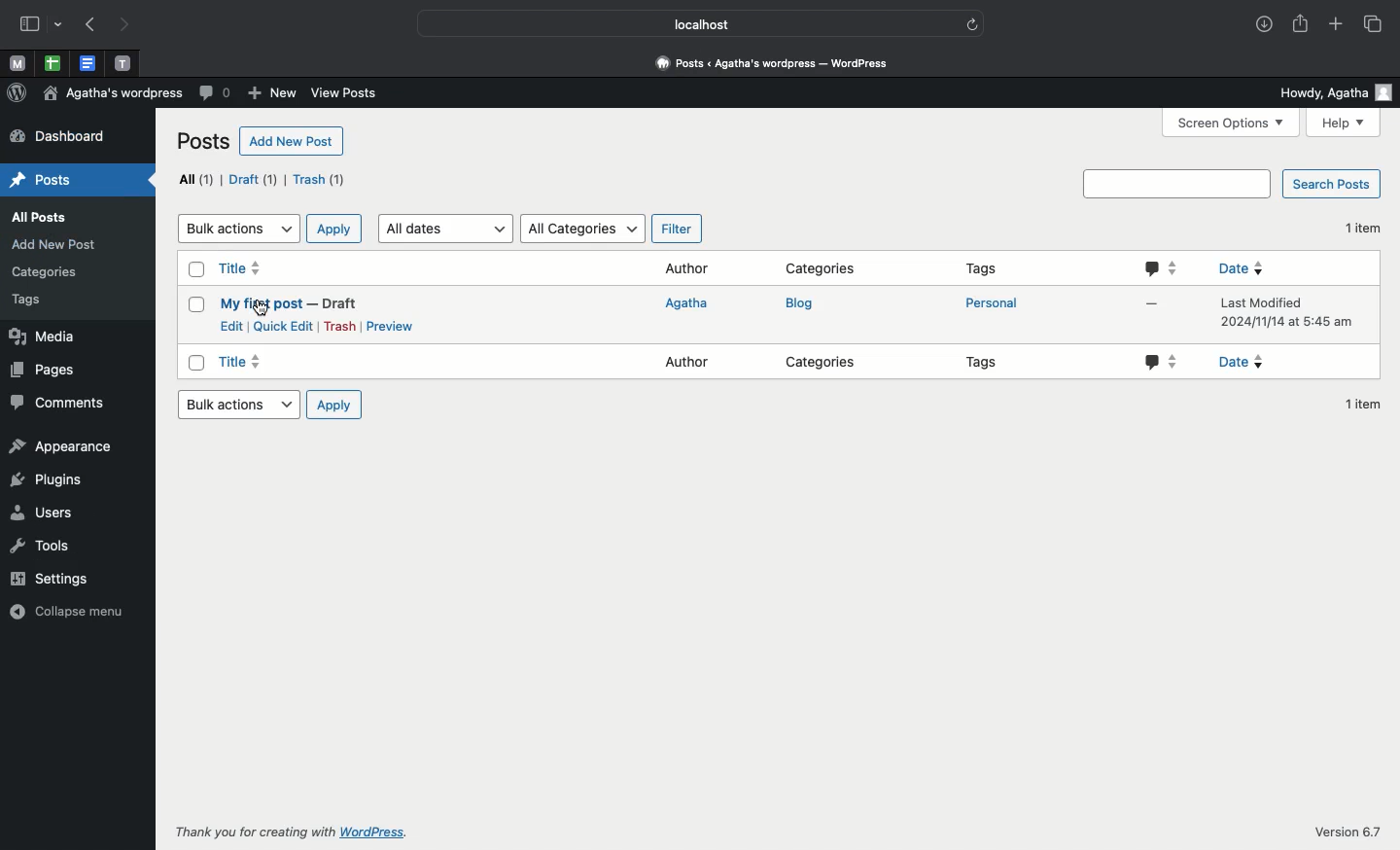 The image size is (1400, 850). Describe the element at coordinates (825, 269) in the screenshot. I see `Categories` at that location.